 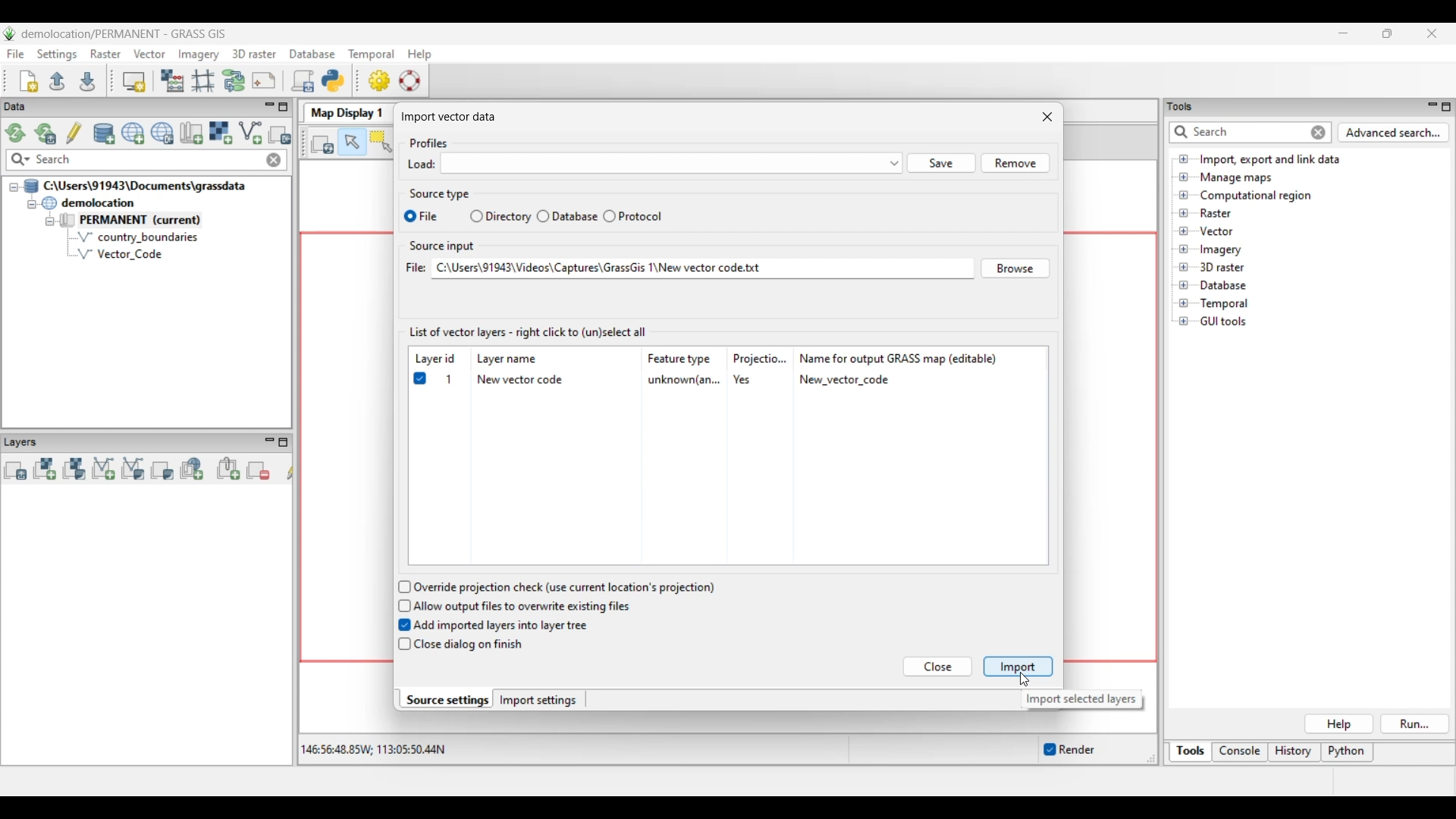 I want to click on File:, so click(x=414, y=268).